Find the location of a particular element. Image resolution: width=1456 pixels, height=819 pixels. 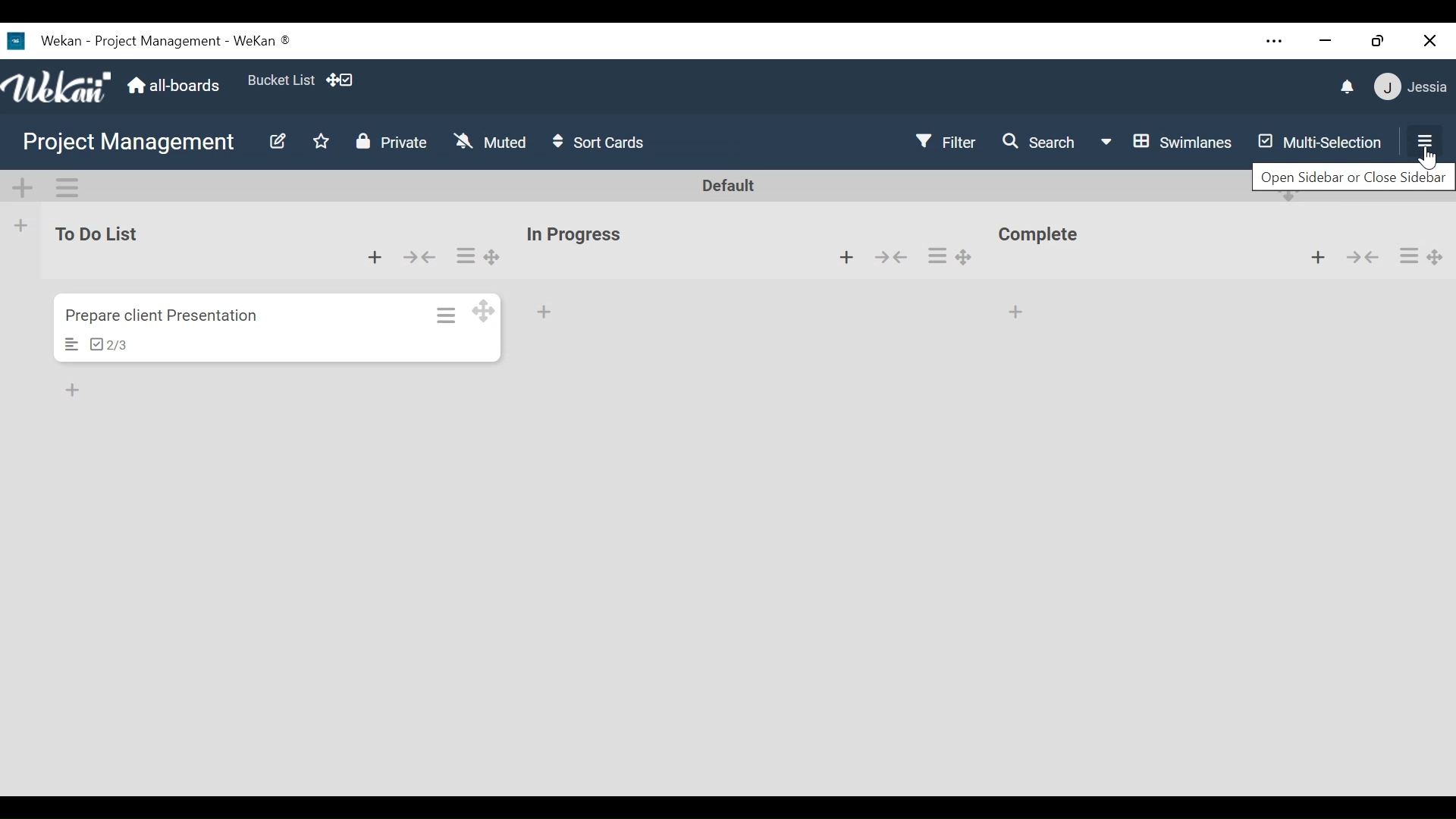

Collapse is located at coordinates (1364, 258).